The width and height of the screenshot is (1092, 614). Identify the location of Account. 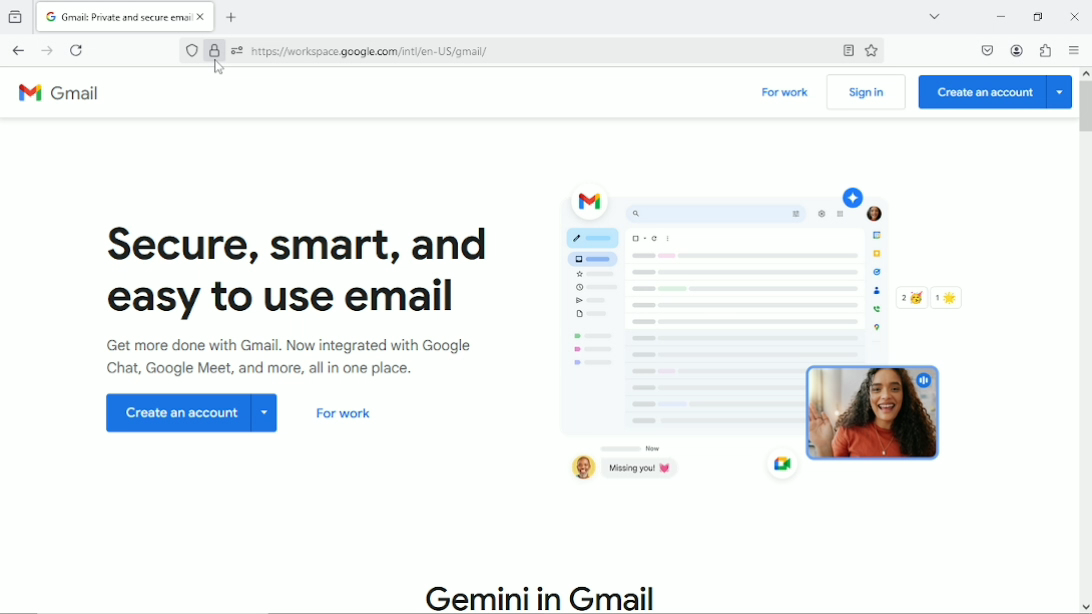
(1017, 50).